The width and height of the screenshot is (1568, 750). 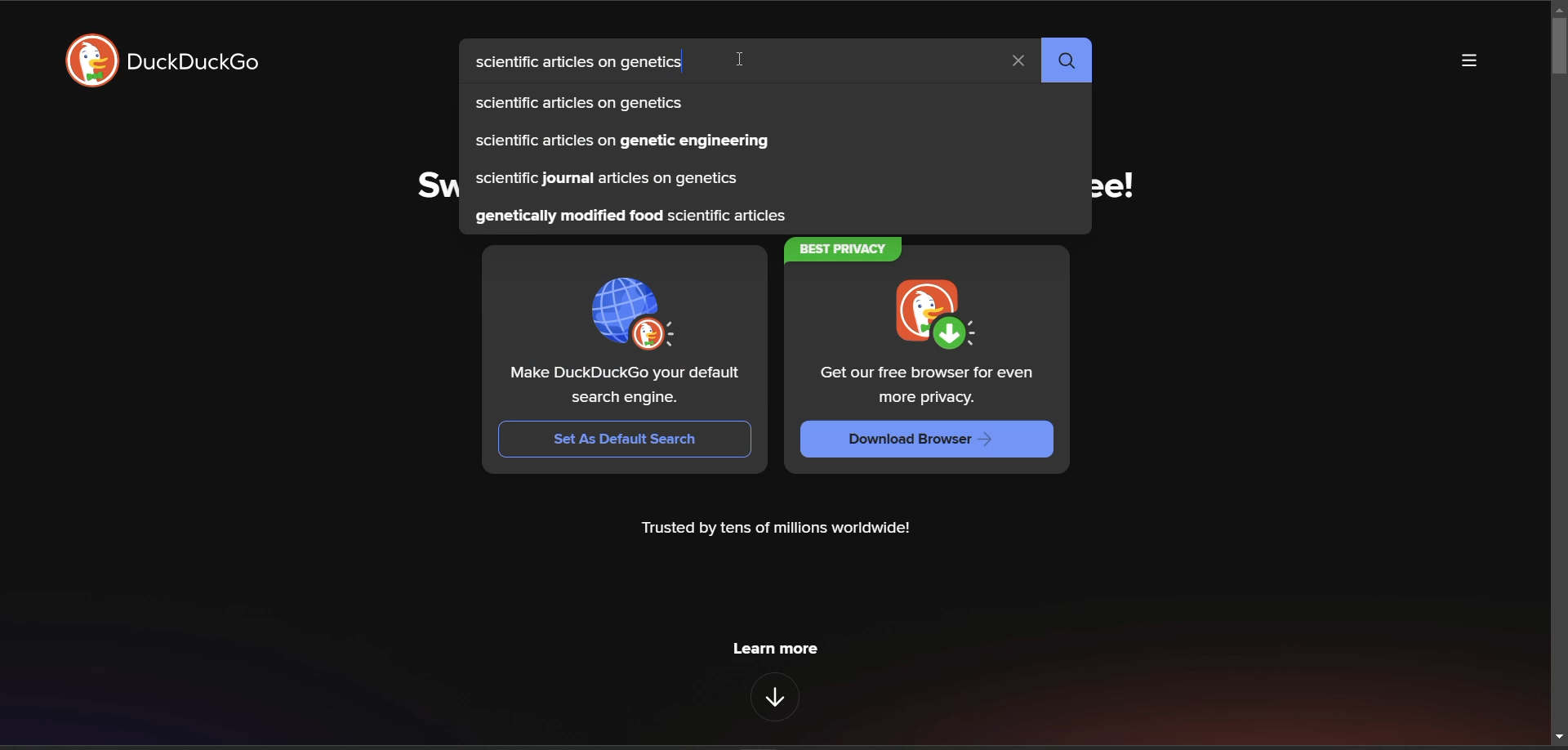 What do you see at coordinates (778, 531) in the screenshot?
I see `Trusted by tens of millions worldwide!` at bounding box center [778, 531].